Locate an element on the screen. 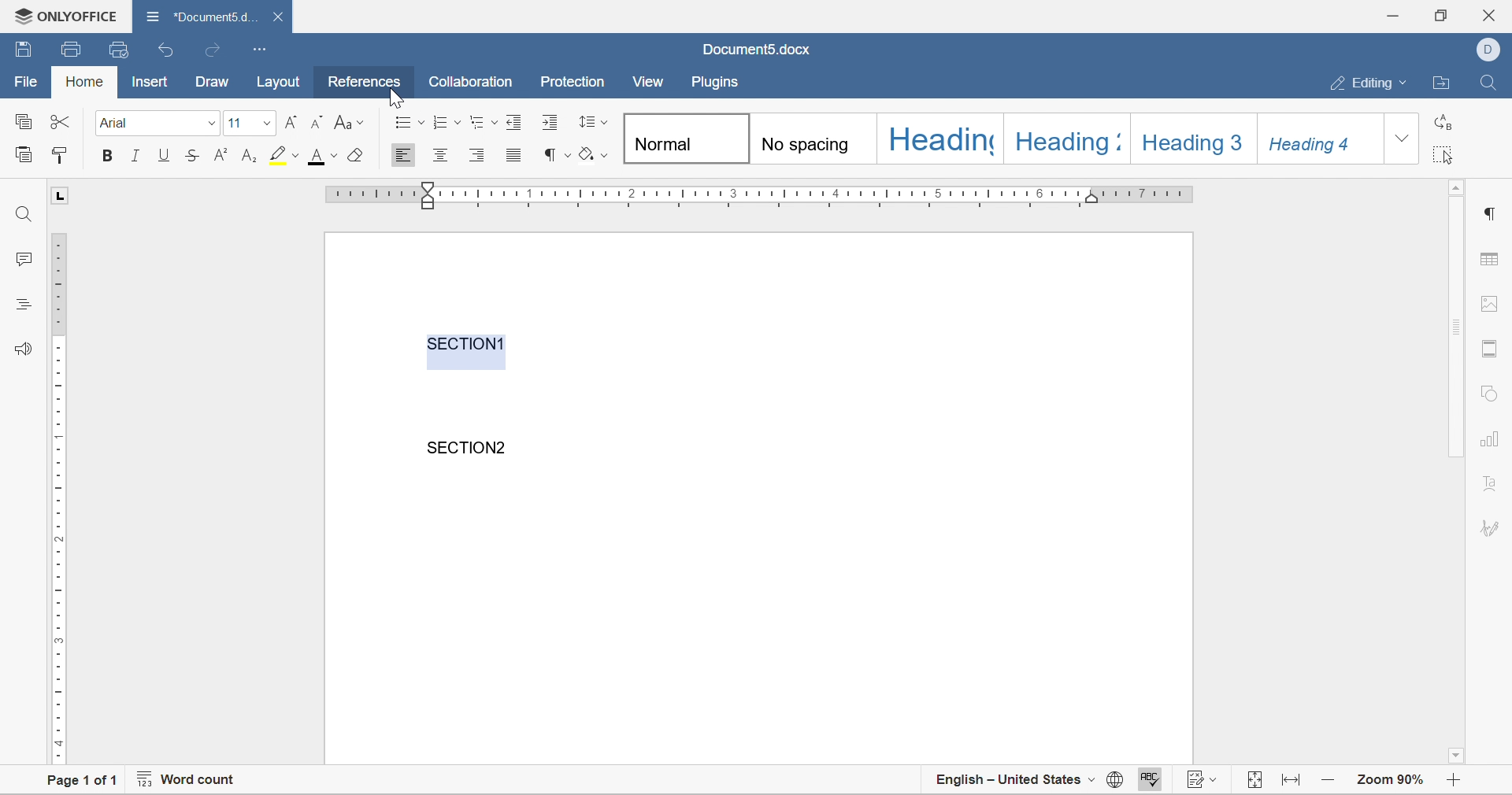 The height and width of the screenshot is (795, 1512). shading is located at coordinates (594, 154).